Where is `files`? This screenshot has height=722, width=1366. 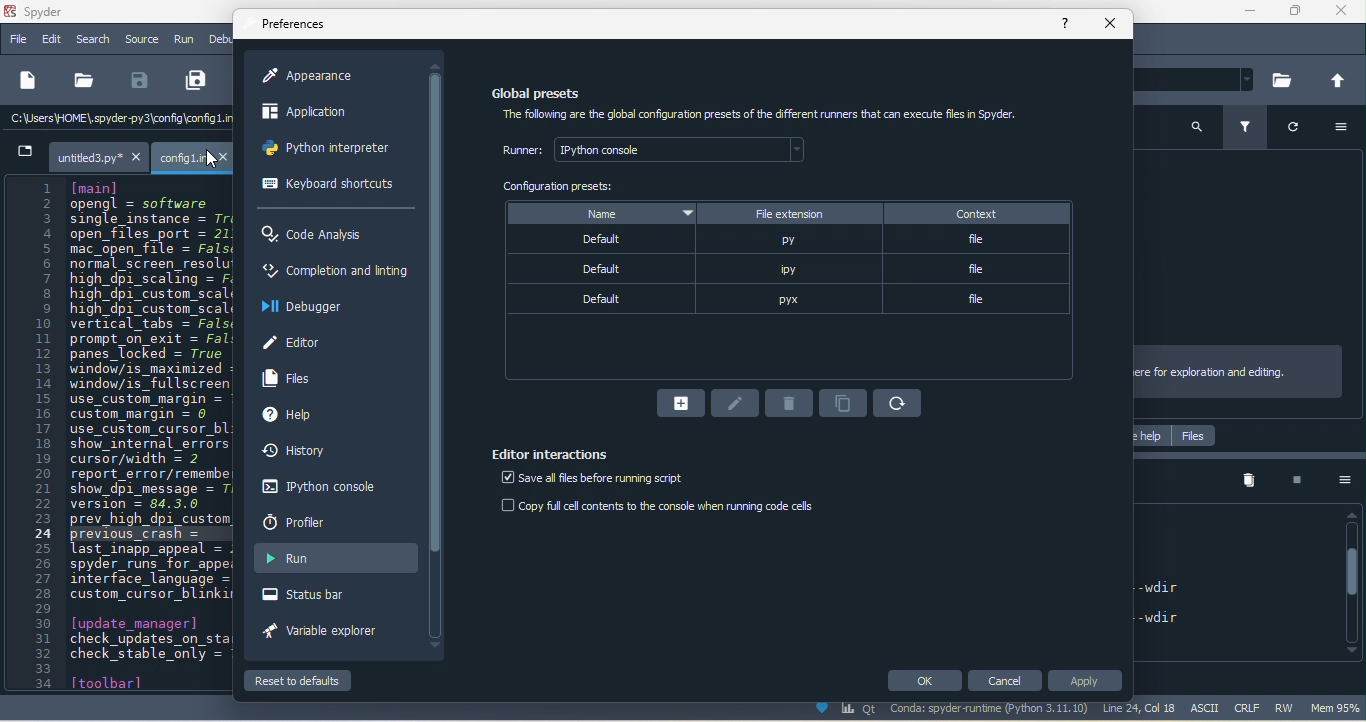 files is located at coordinates (290, 378).